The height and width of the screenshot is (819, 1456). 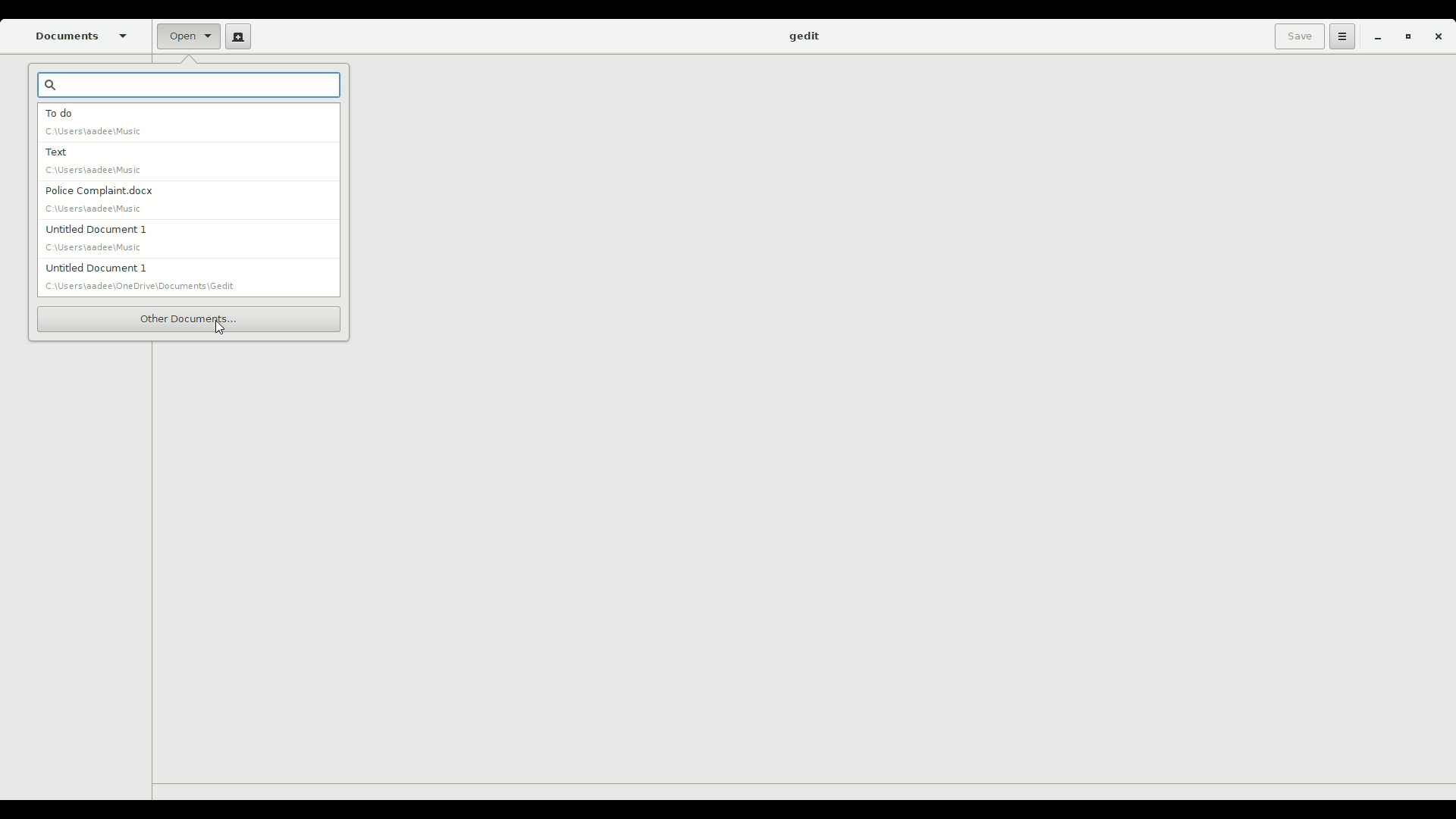 What do you see at coordinates (1340, 36) in the screenshot?
I see `Options` at bounding box center [1340, 36].